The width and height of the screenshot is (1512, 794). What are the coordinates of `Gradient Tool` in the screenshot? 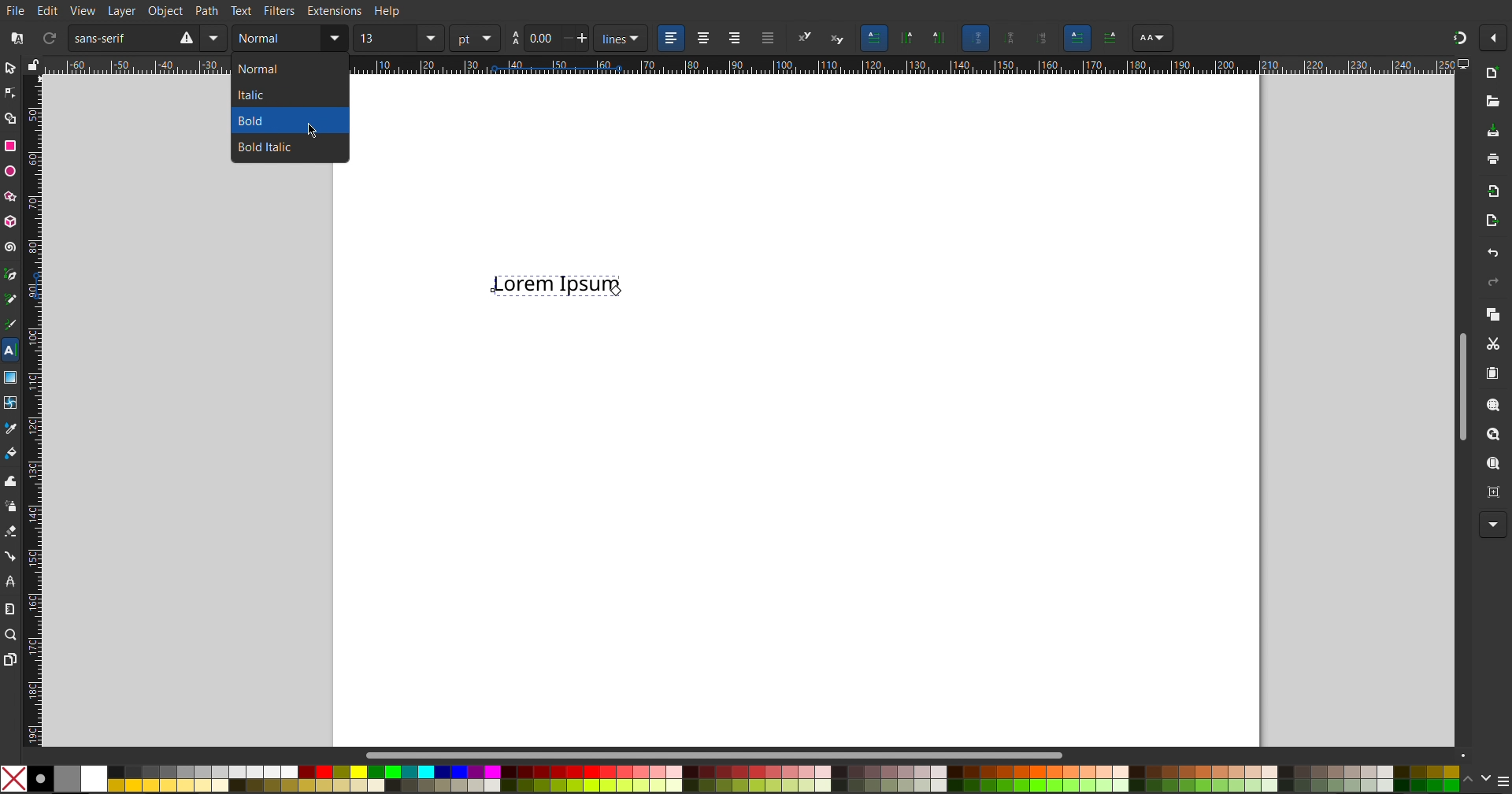 It's located at (11, 374).